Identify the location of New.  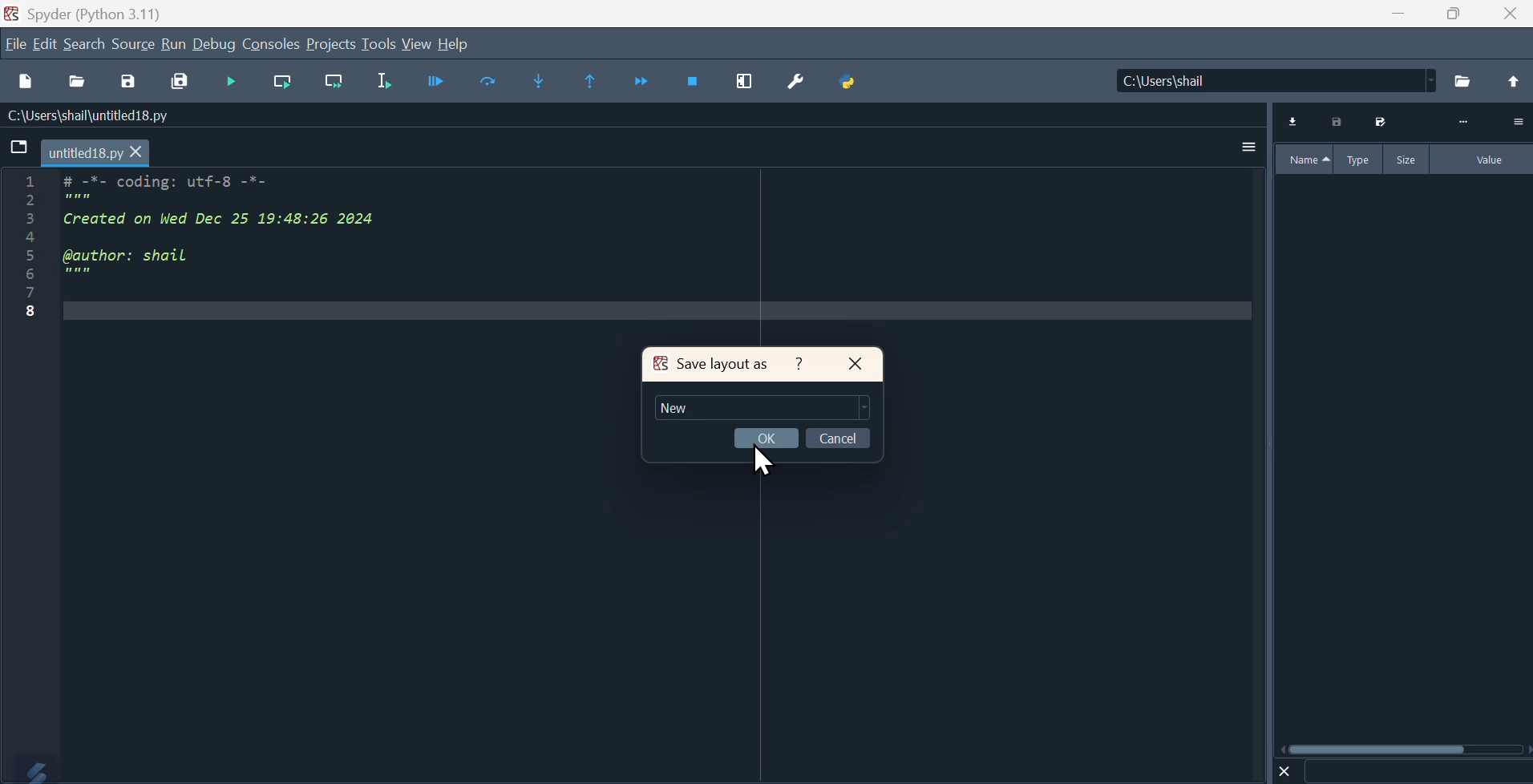
(678, 408).